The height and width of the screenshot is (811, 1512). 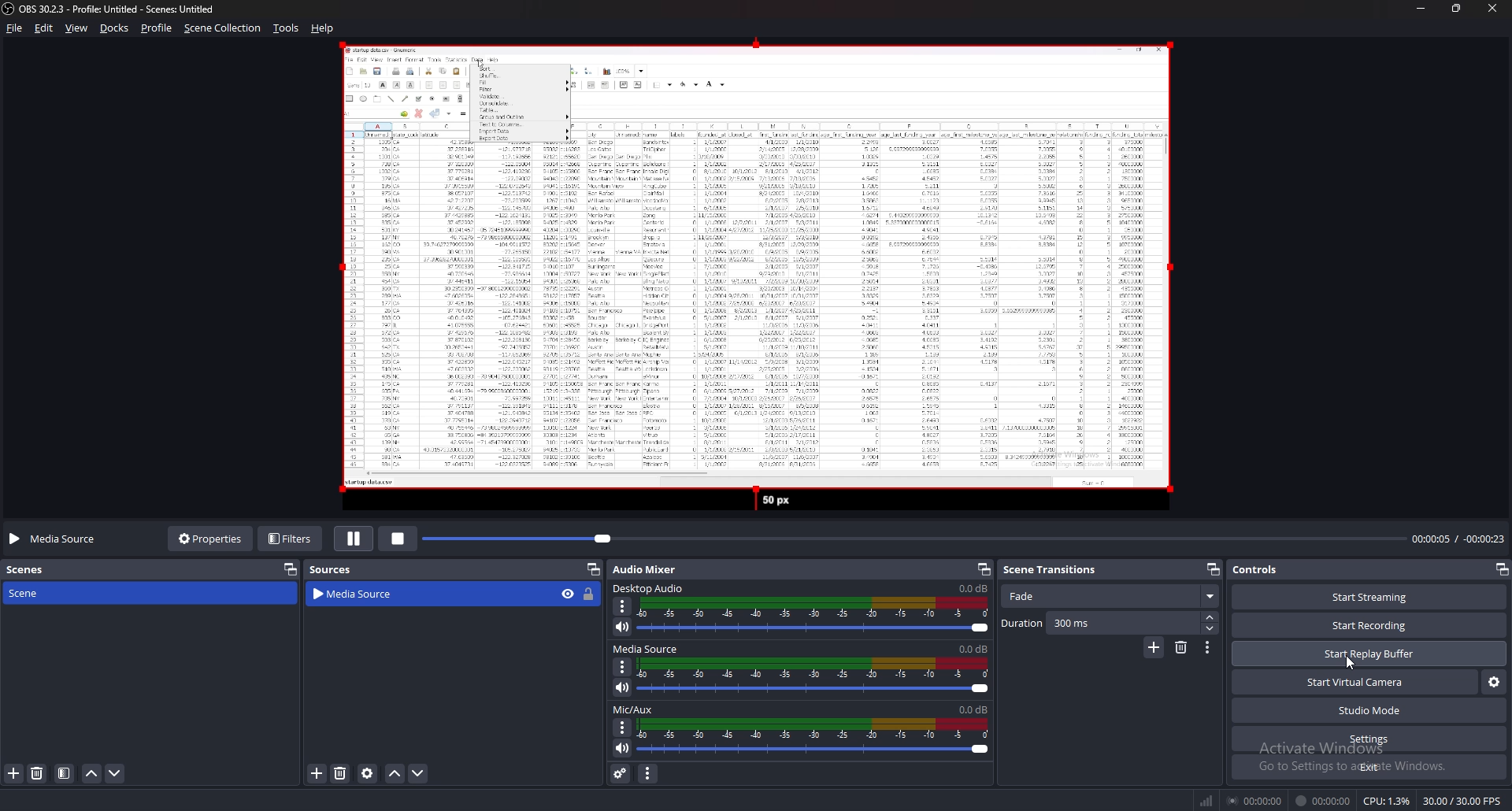 I want to click on move source down, so click(x=418, y=773).